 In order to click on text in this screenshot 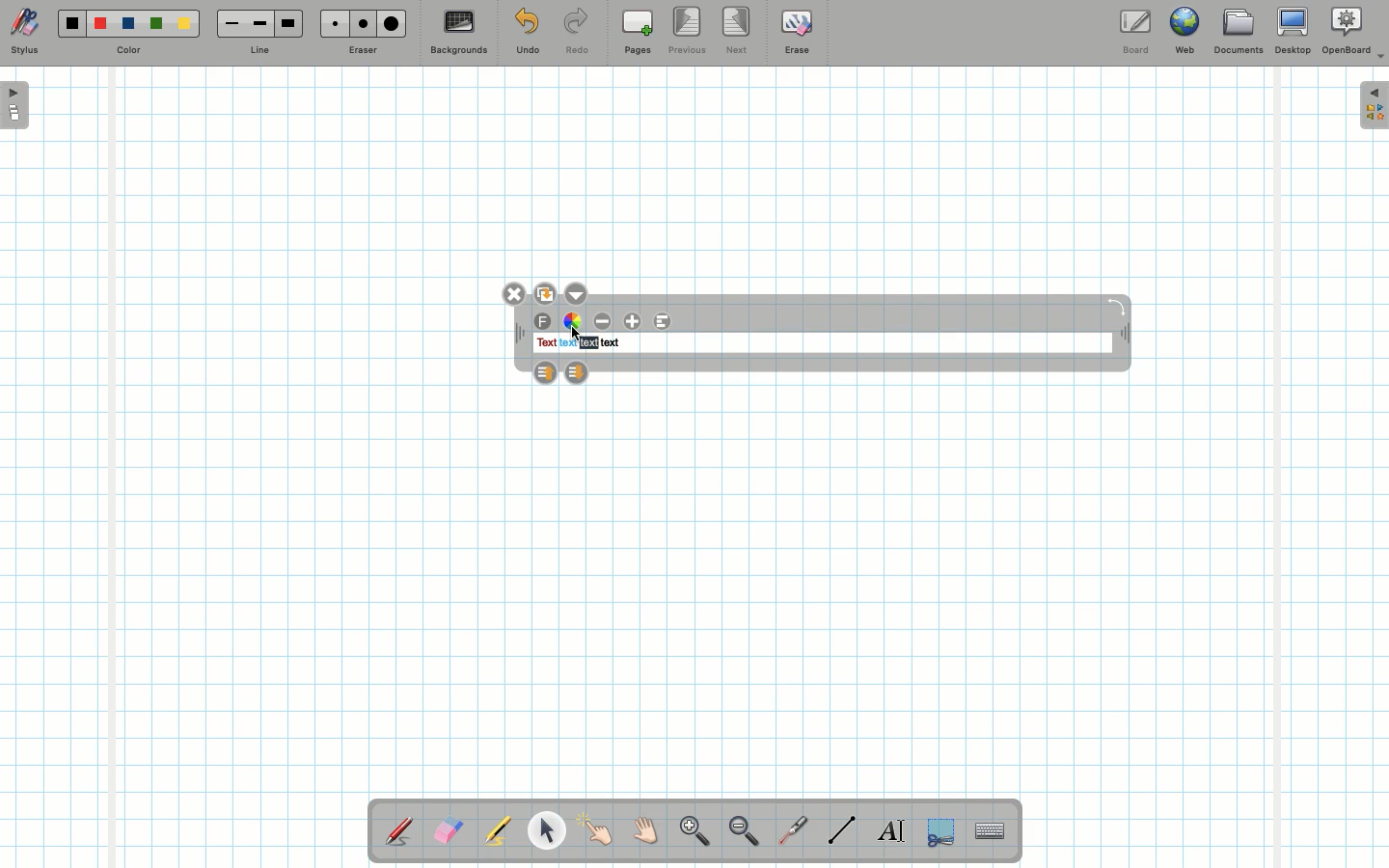, I will do `click(545, 343)`.